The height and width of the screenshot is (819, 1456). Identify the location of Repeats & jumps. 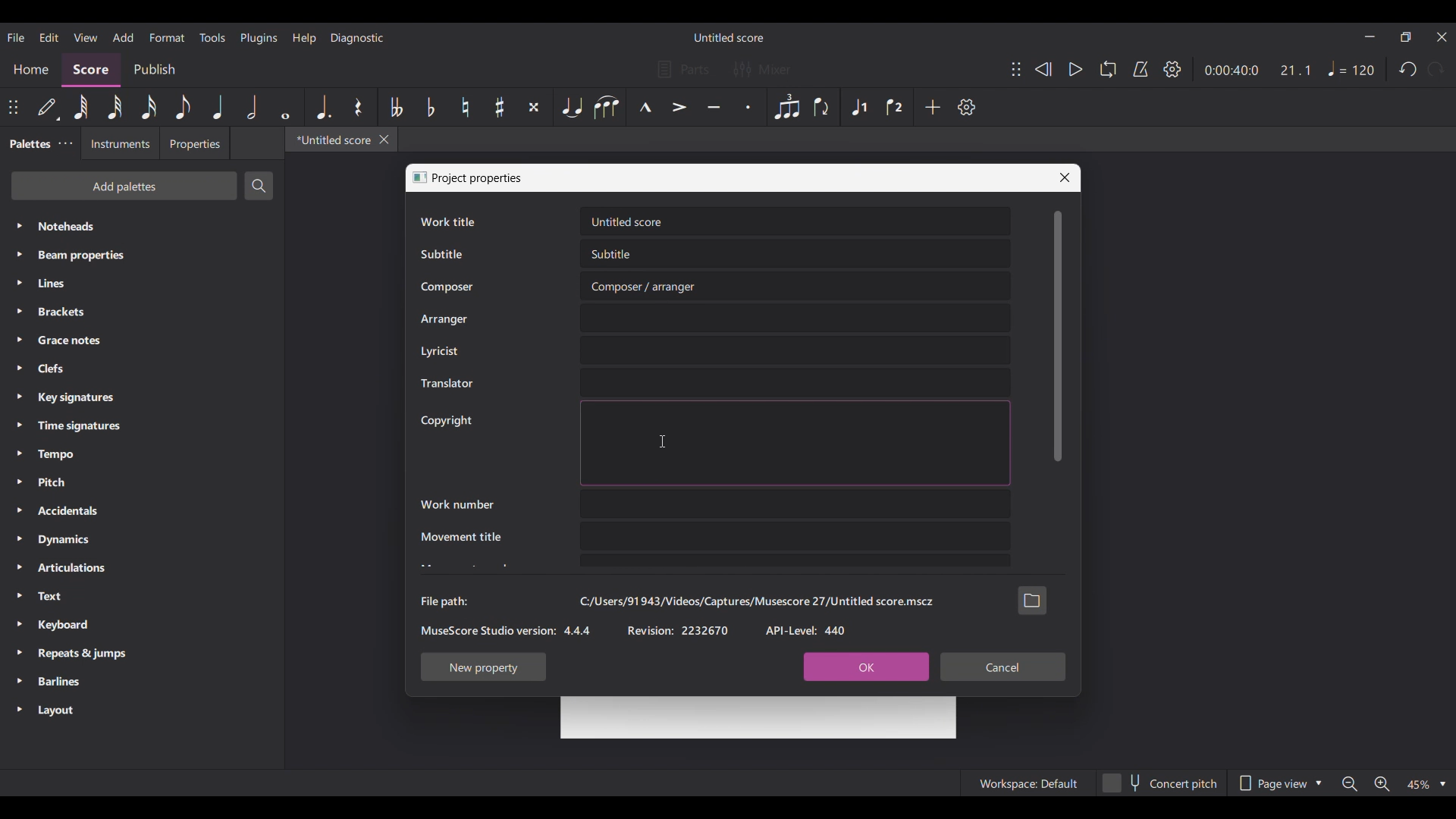
(143, 654).